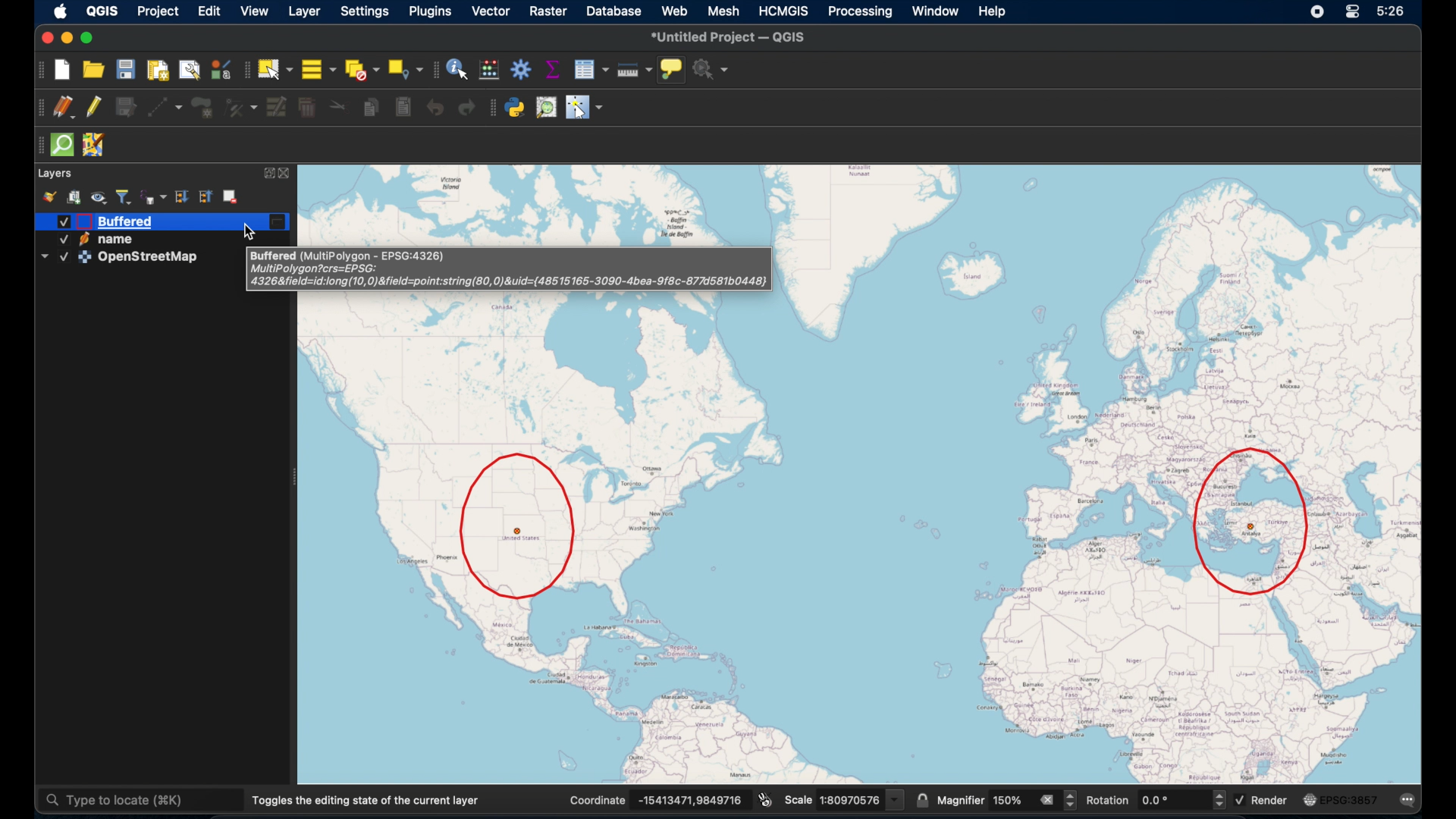 This screenshot has height=819, width=1456. Describe the element at coordinates (140, 802) in the screenshot. I see `type to locate` at that location.